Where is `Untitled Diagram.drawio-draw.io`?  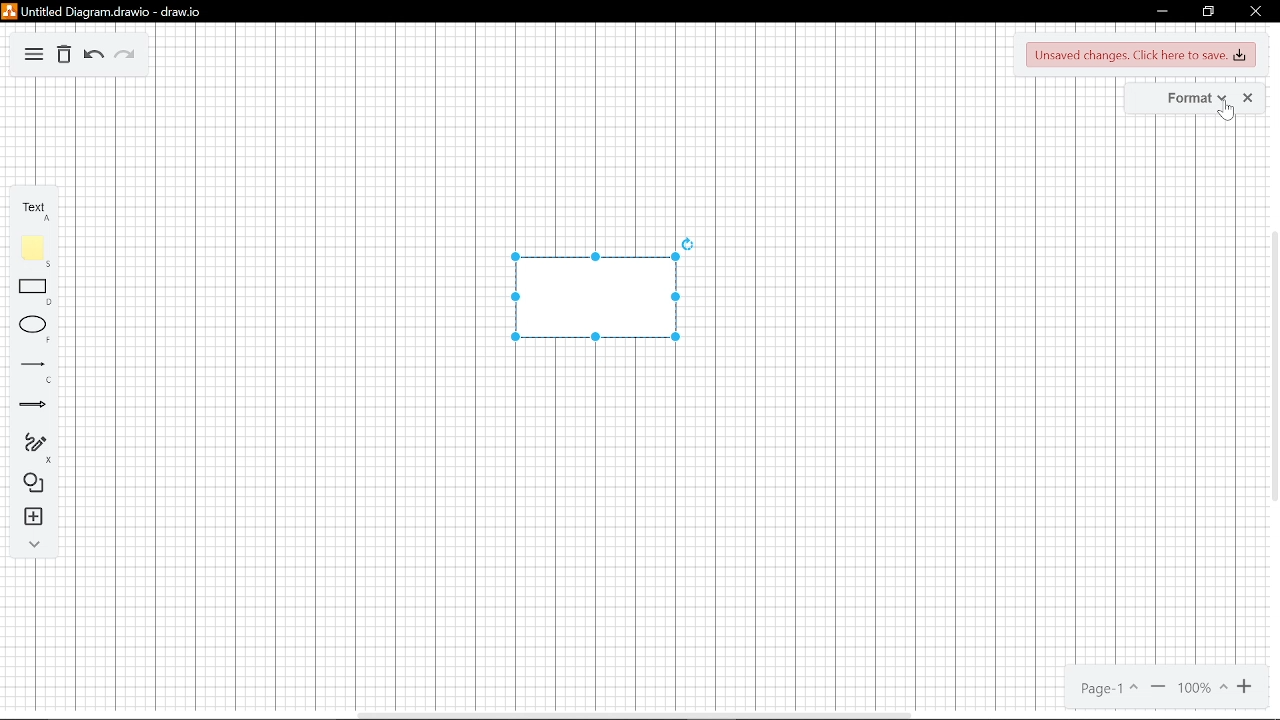
Untitled Diagram.drawio-draw.io is located at coordinates (108, 14).